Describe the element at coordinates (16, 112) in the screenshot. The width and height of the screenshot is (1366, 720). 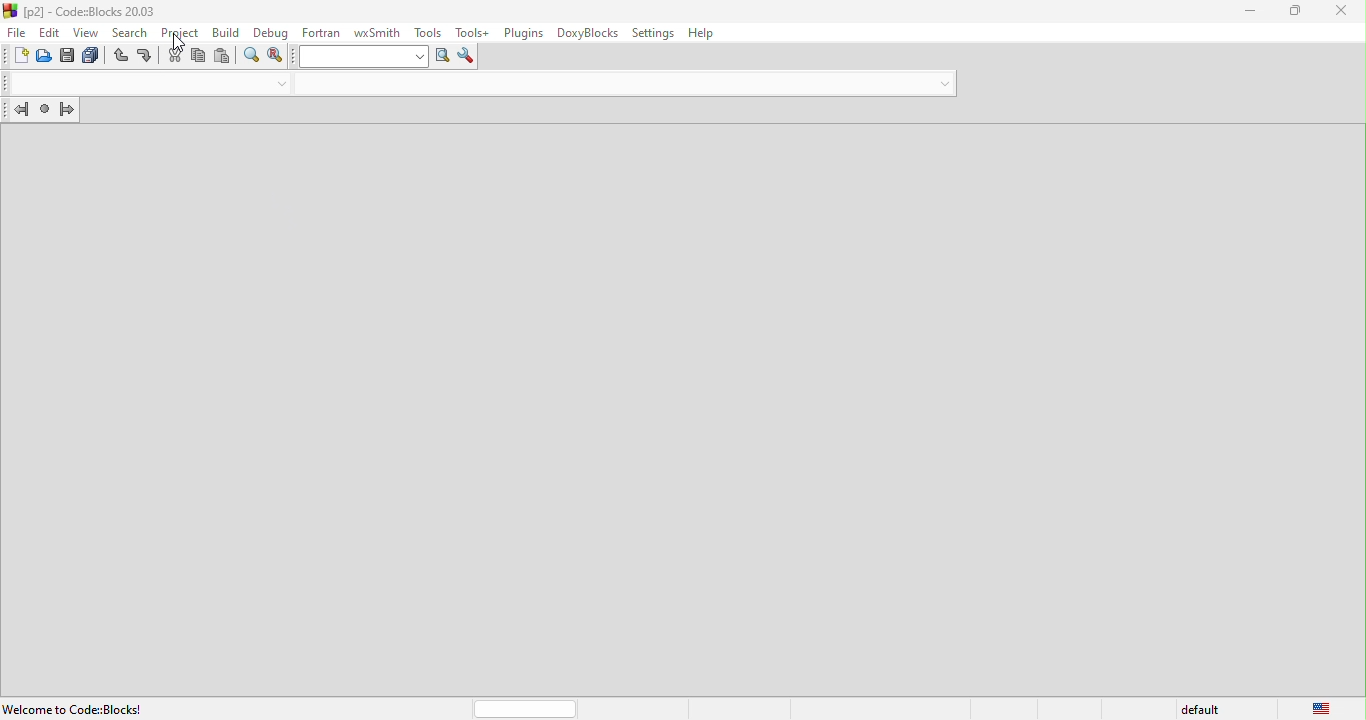
I see `jump back` at that location.